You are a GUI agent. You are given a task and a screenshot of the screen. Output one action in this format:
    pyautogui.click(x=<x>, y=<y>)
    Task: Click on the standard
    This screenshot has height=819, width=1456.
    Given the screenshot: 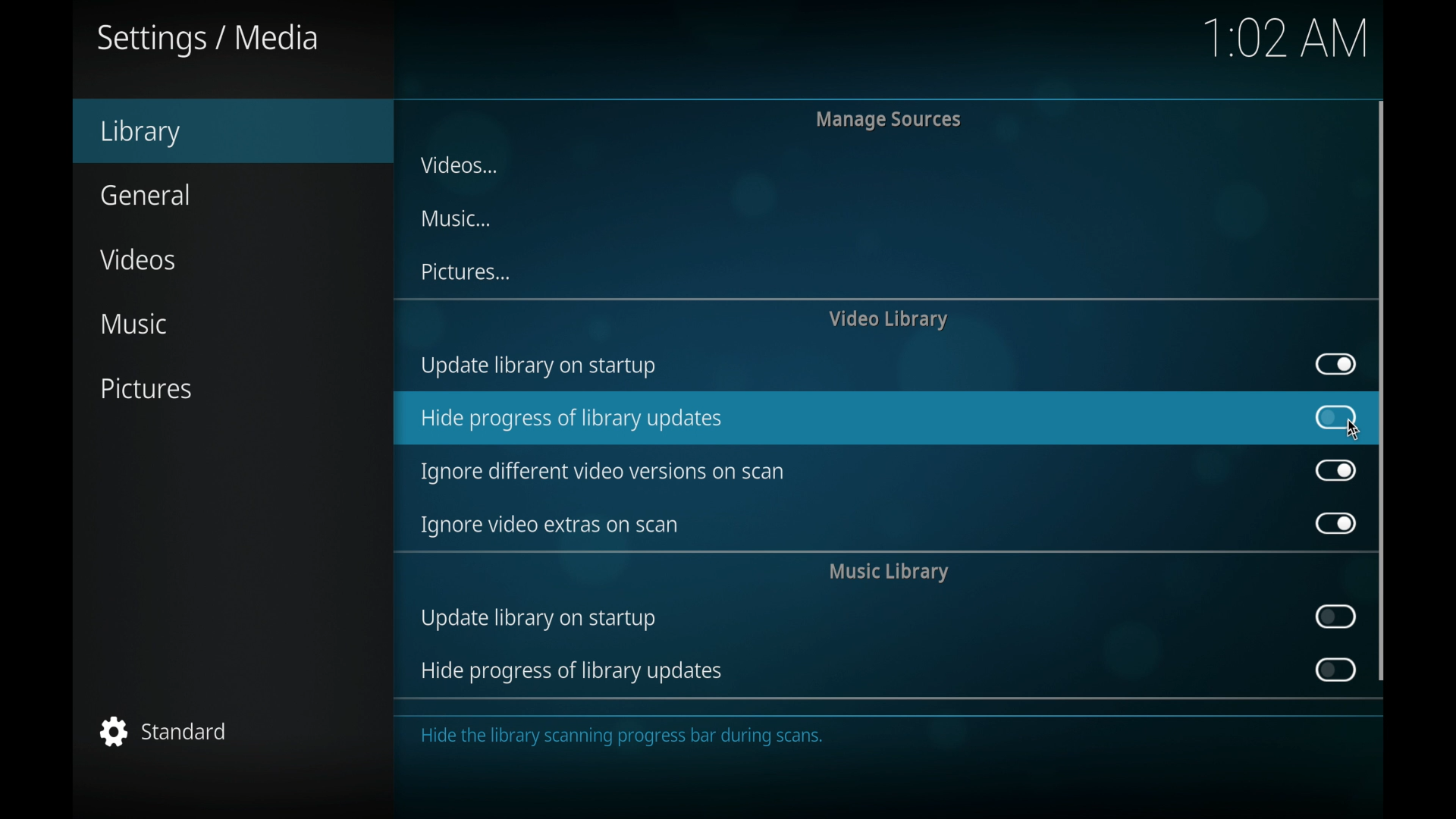 What is the action you would take?
    pyautogui.click(x=162, y=731)
    